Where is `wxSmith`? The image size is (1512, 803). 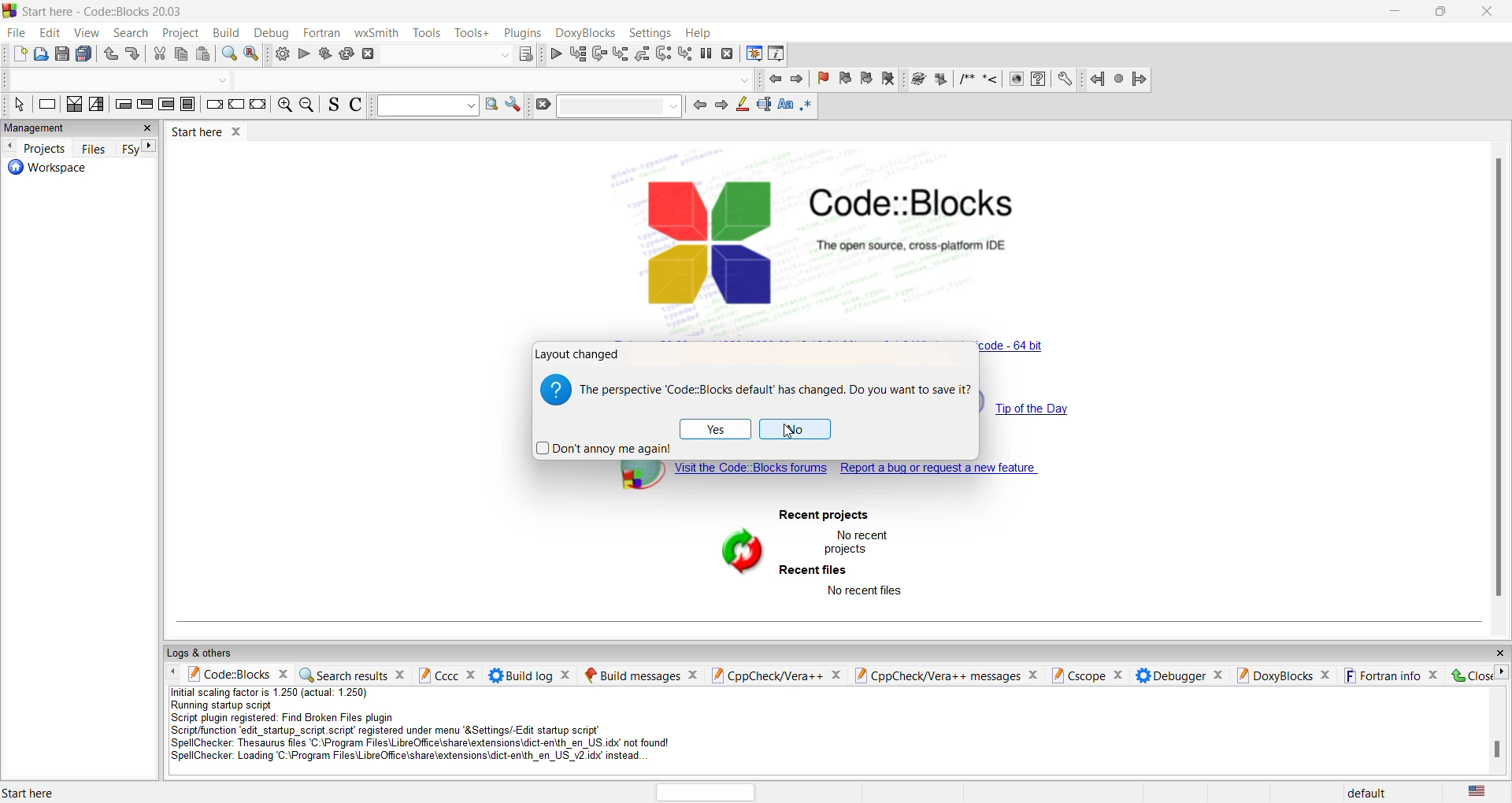
wxSmith is located at coordinates (377, 32).